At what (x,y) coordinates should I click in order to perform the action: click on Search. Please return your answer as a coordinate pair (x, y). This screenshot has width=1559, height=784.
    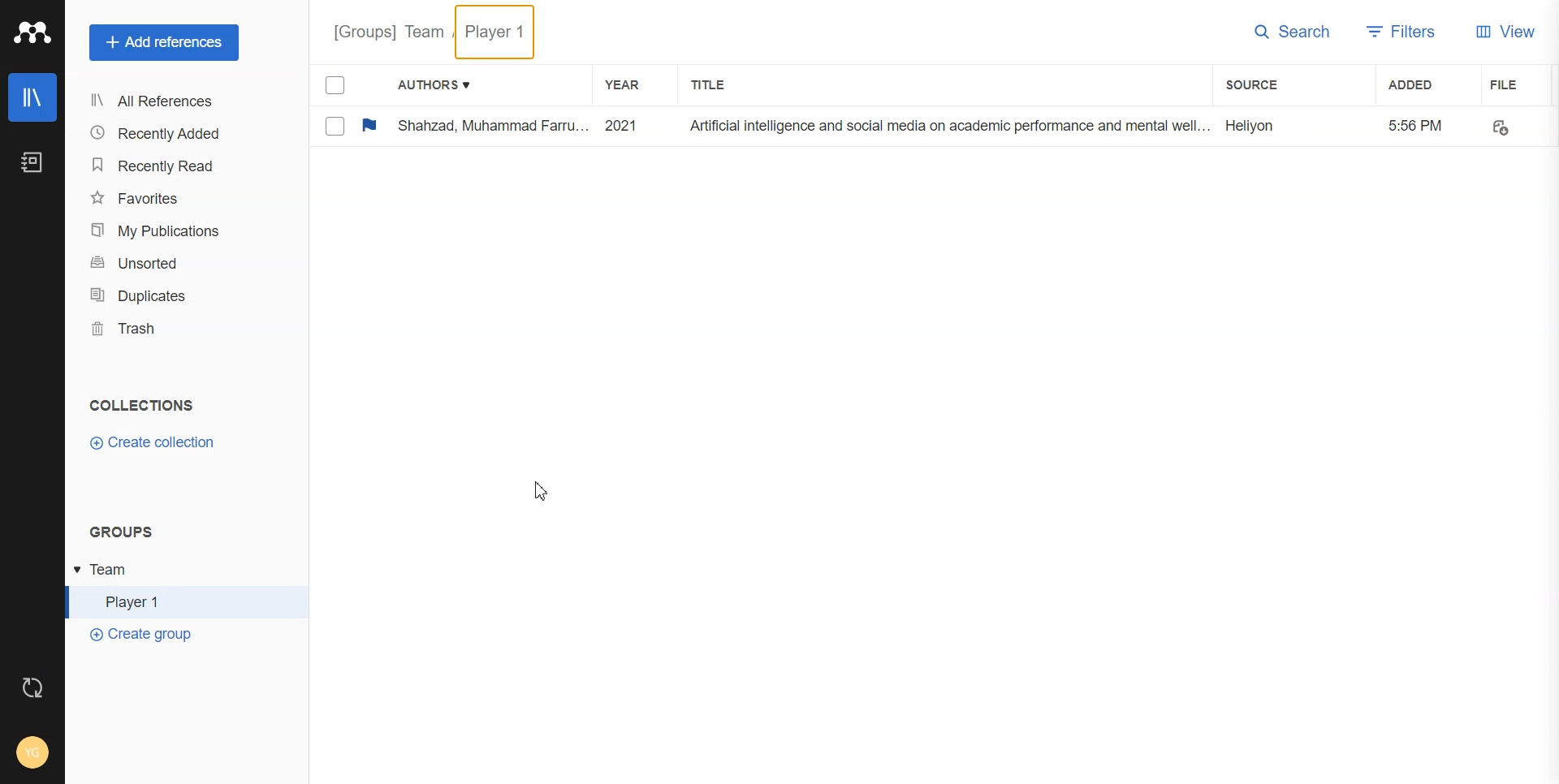
    Looking at the image, I should click on (1291, 32).